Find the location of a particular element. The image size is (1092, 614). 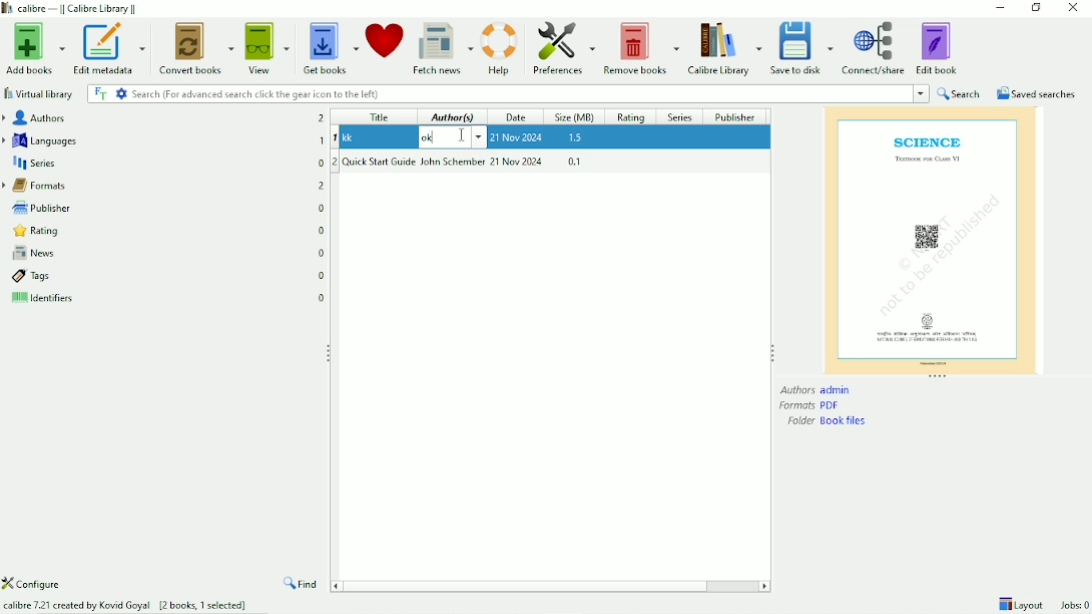

Donate is located at coordinates (384, 38).